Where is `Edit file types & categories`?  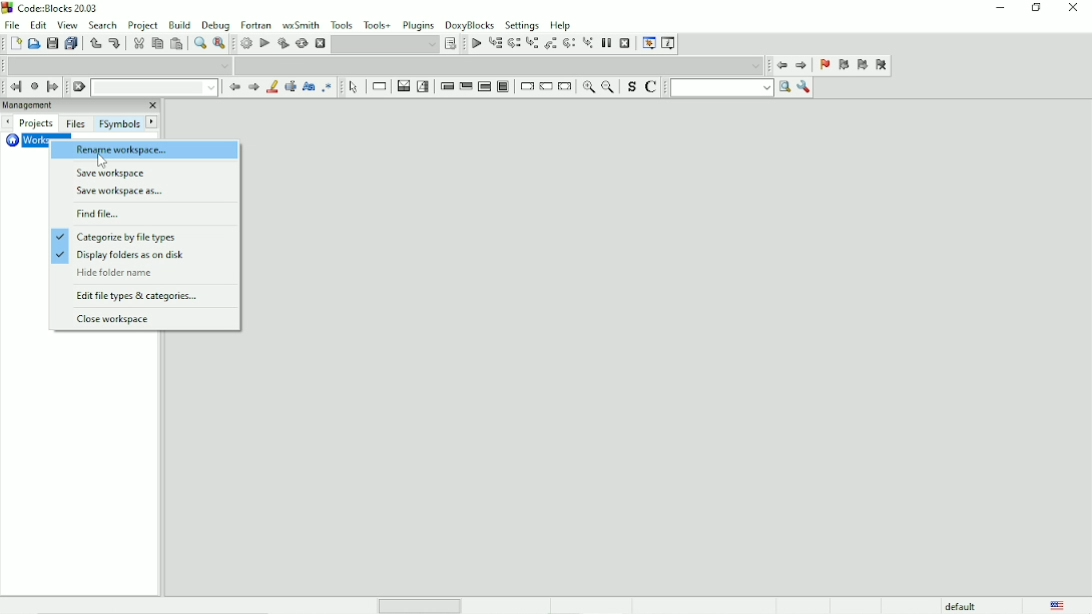
Edit file types & categories is located at coordinates (140, 296).